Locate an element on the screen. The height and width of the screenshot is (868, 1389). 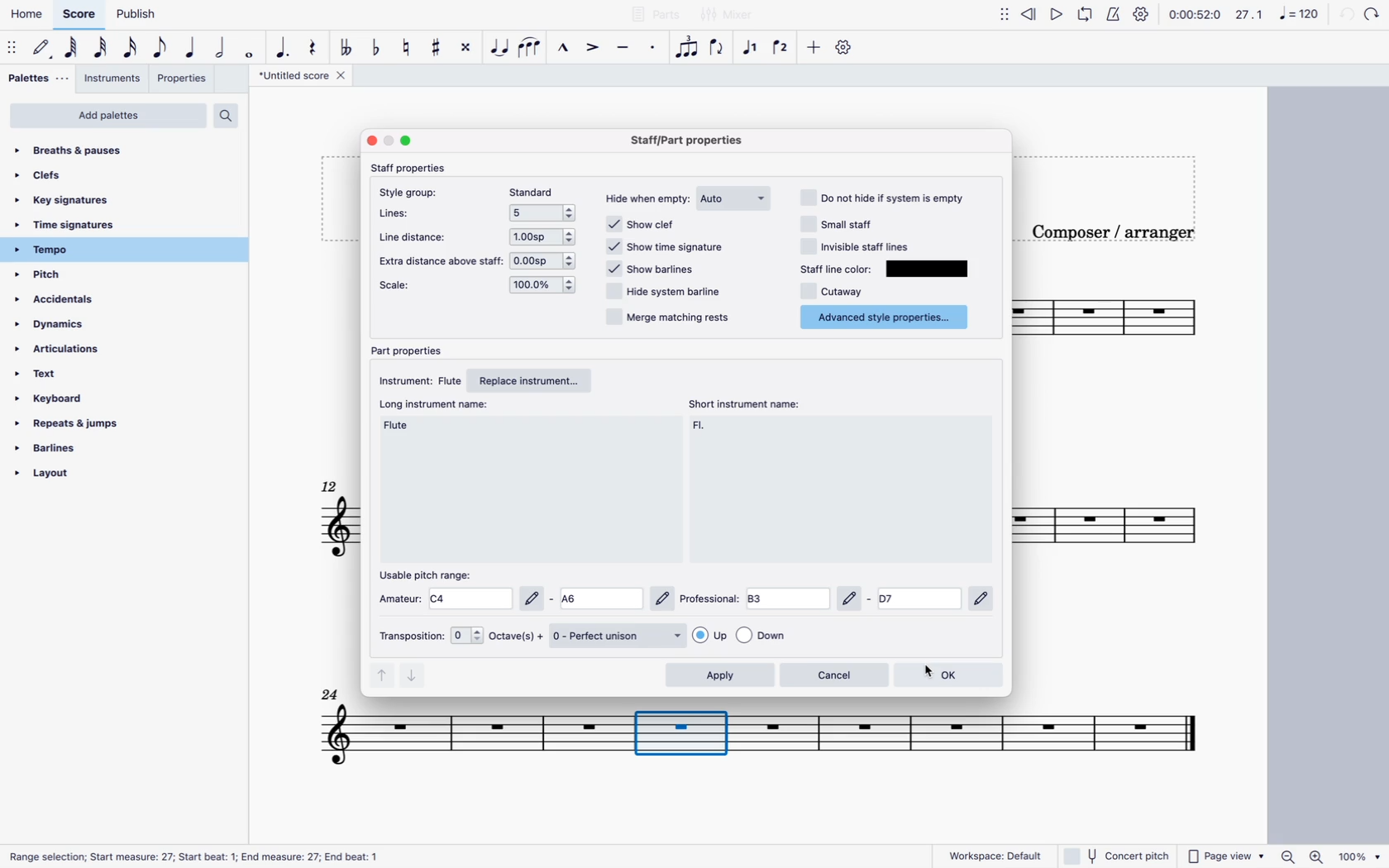
tuplet is located at coordinates (685, 48).